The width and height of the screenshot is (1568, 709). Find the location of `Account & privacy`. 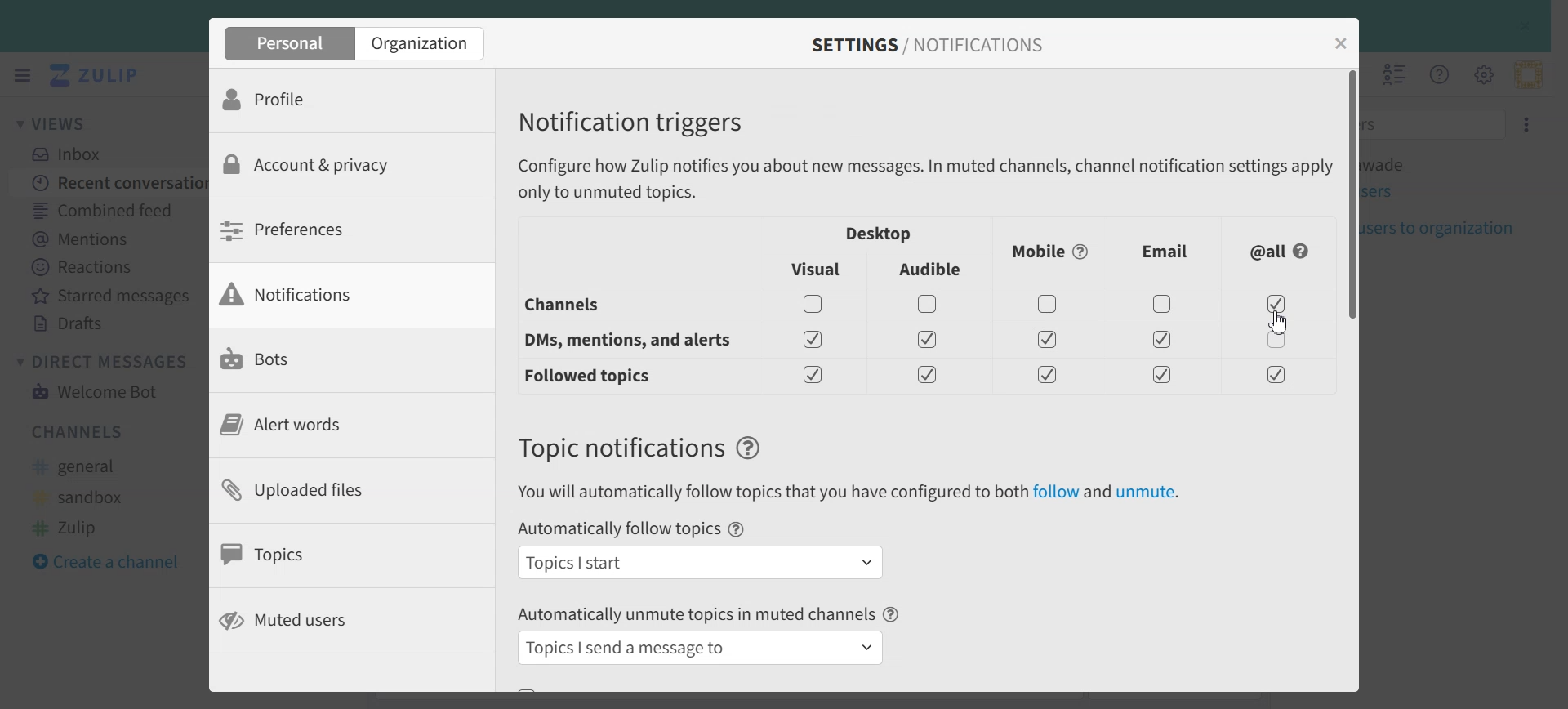

Account & privacy is located at coordinates (332, 165).